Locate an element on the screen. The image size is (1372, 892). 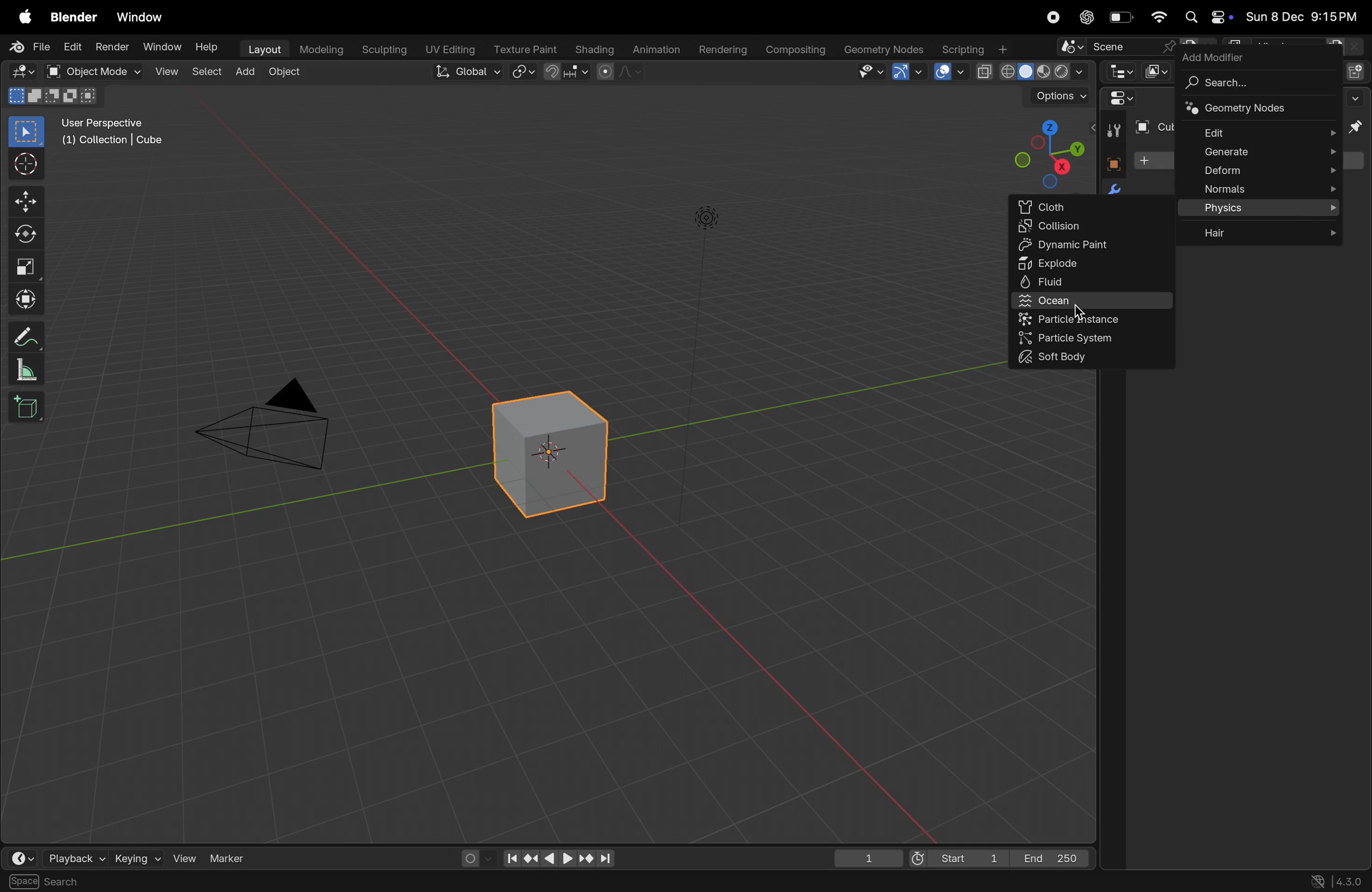
view points is located at coordinates (1047, 152).